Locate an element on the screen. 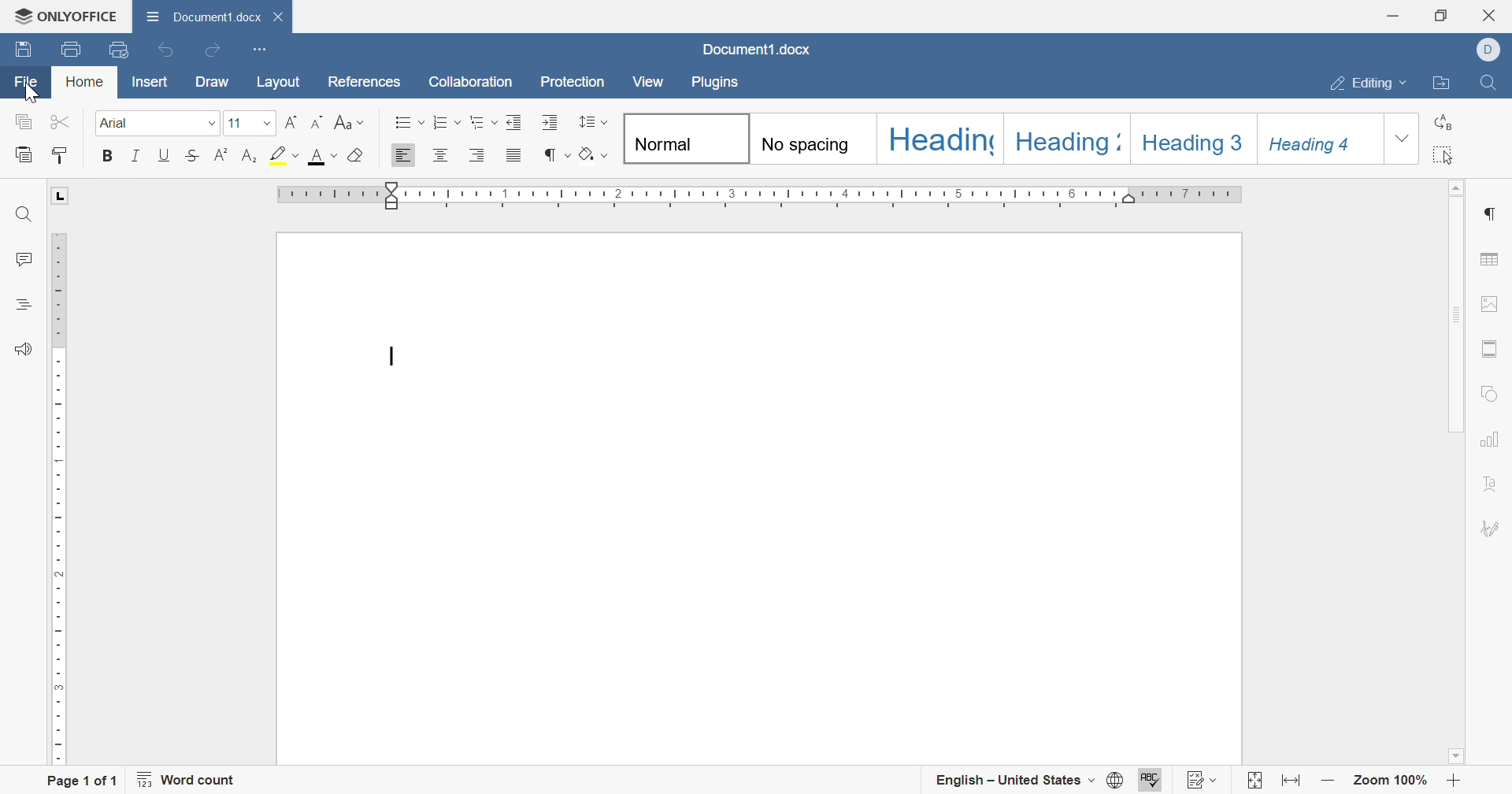 The height and width of the screenshot is (794, 1512). drop down is located at coordinates (1403, 139).